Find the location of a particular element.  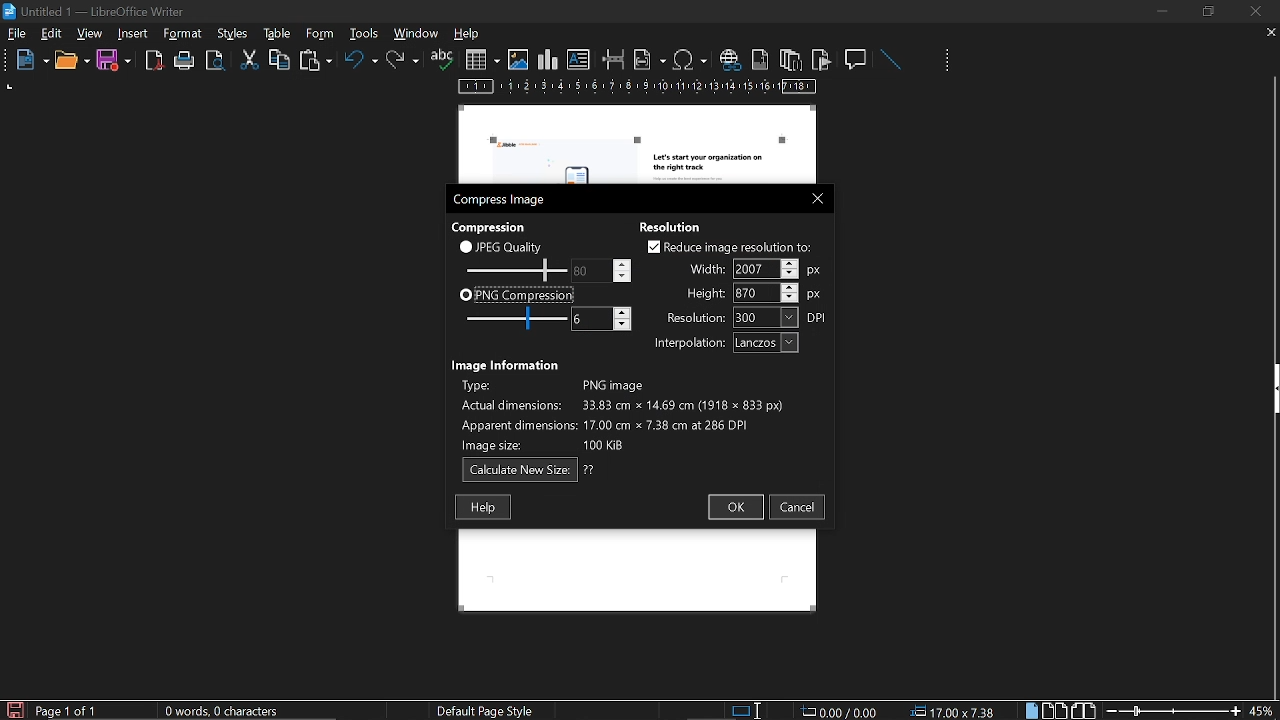

help is located at coordinates (483, 507).